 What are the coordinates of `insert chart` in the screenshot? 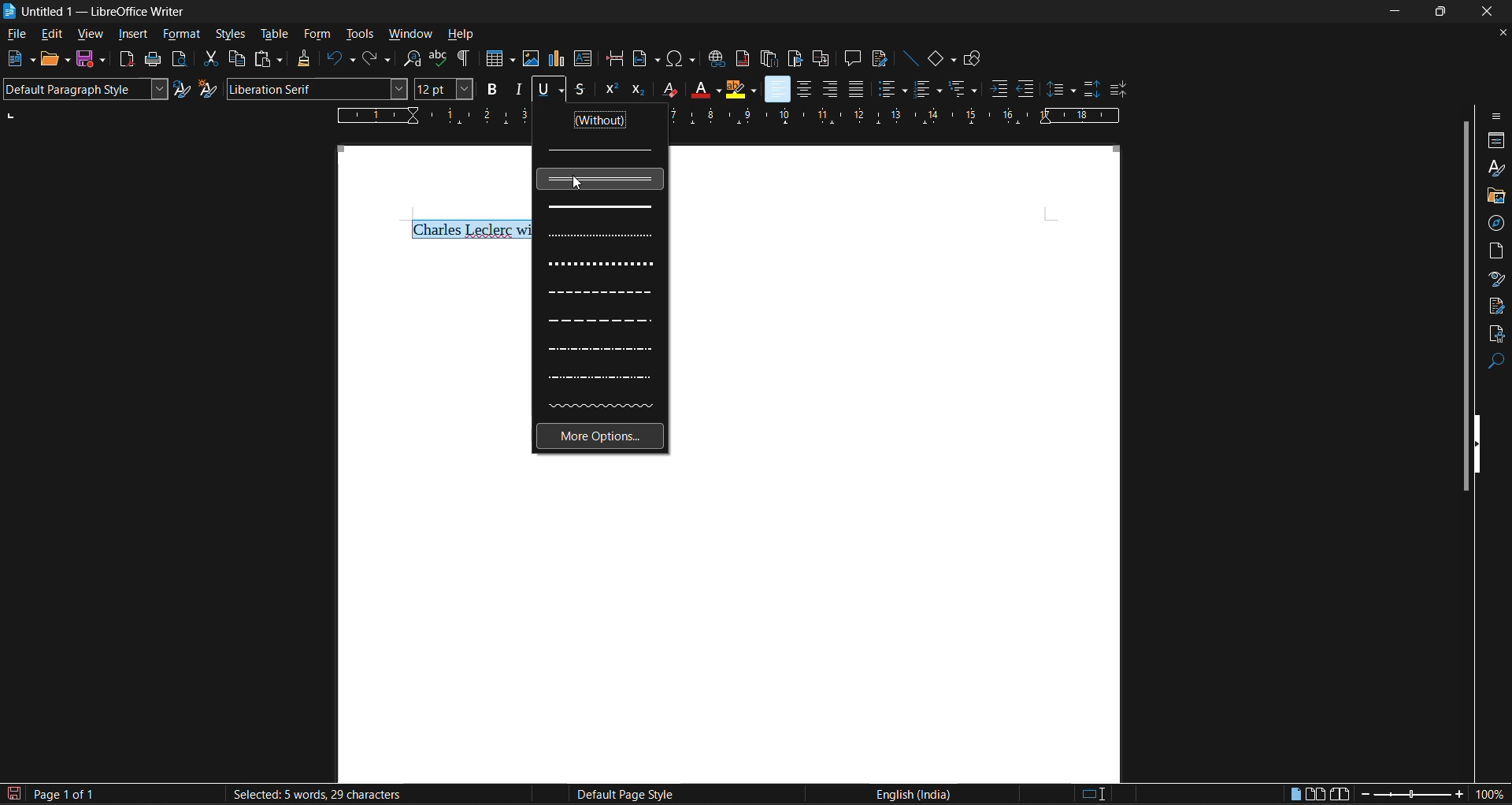 It's located at (556, 59).